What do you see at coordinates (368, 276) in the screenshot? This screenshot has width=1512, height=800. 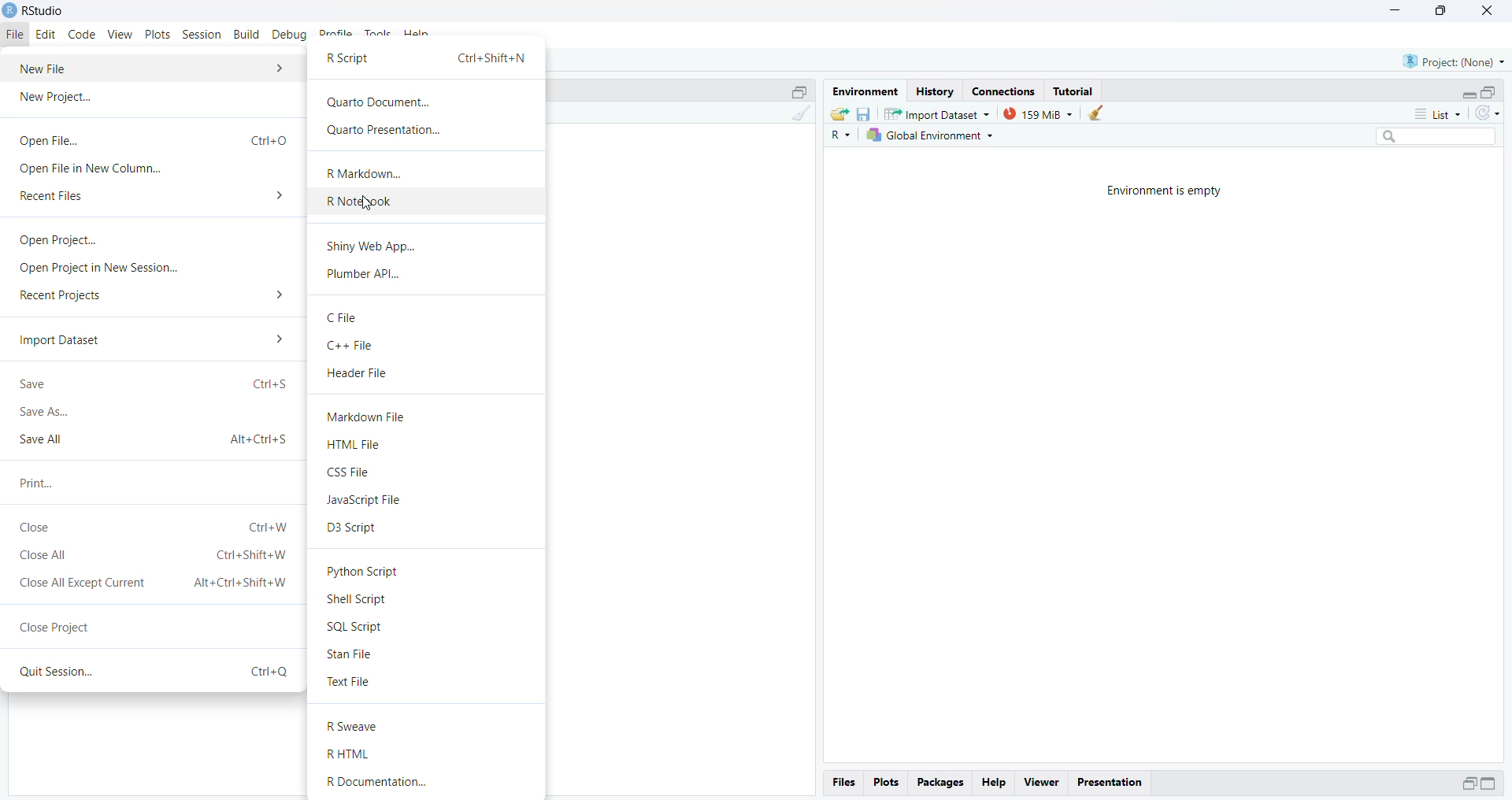 I see `Plumber API...` at bounding box center [368, 276].